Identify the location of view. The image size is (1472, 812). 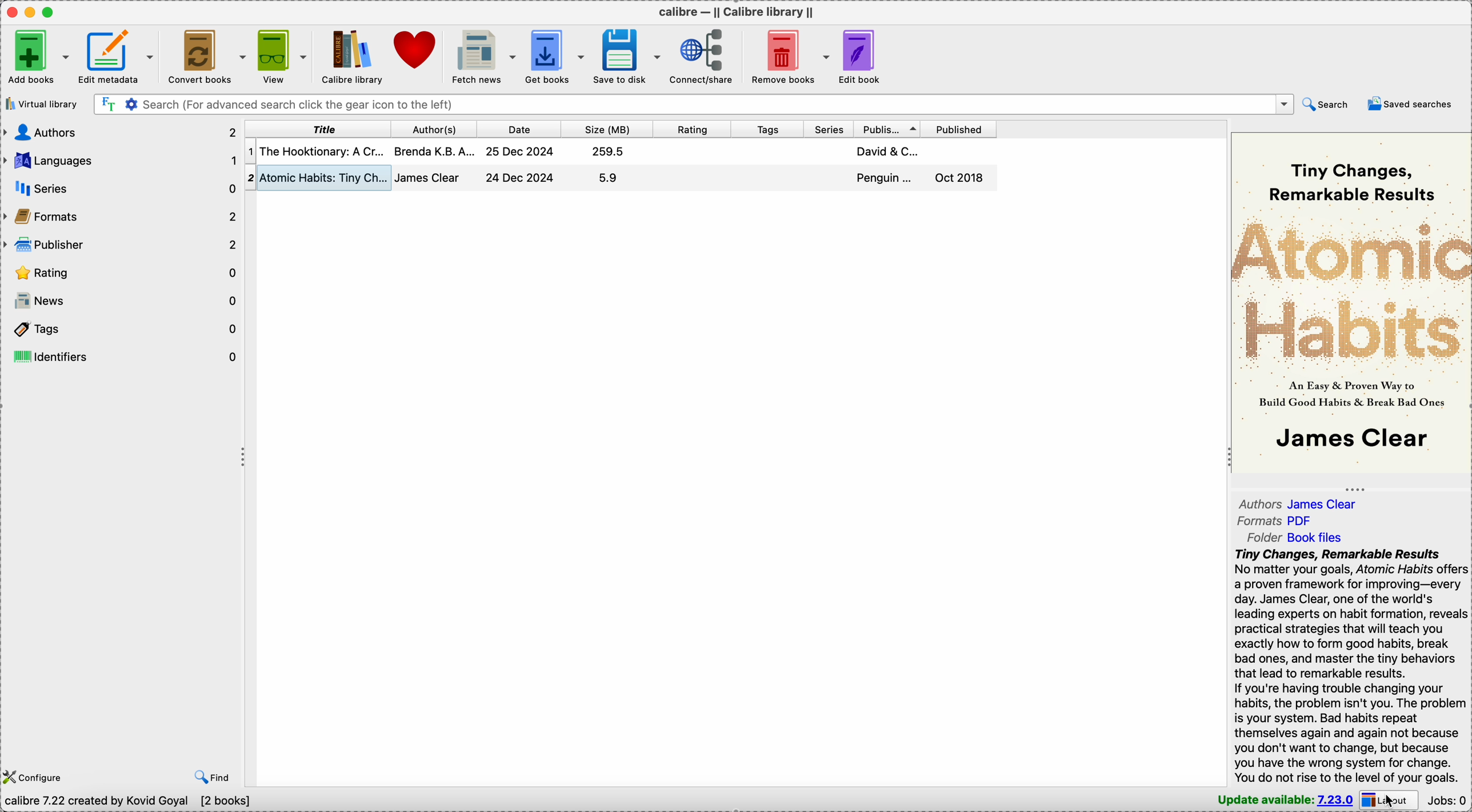
(281, 55).